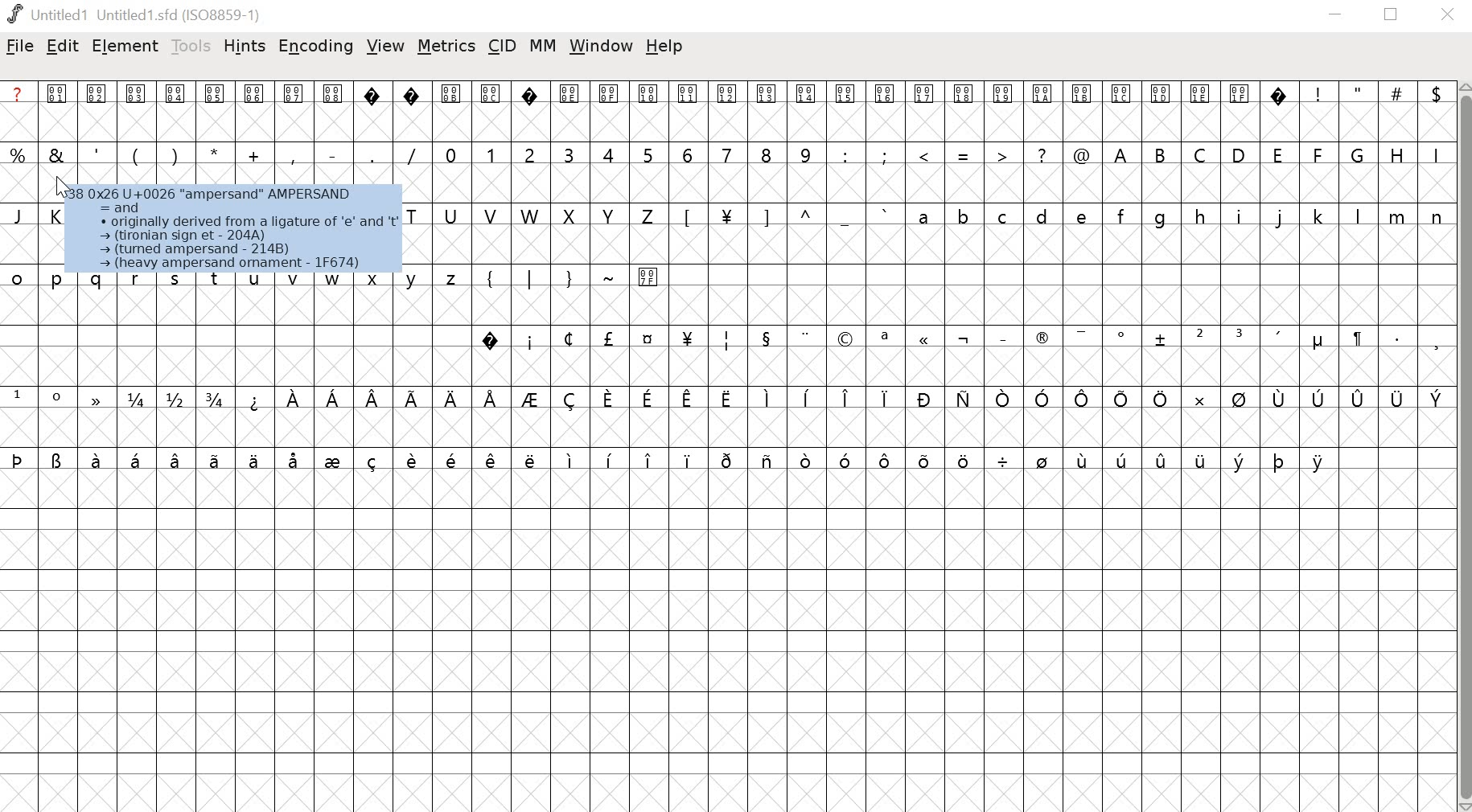 Image resolution: width=1472 pixels, height=812 pixels. What do you see at coordinates (492, 397) in the screenshot?
I see `symbol` at bounding box center [492, 397].